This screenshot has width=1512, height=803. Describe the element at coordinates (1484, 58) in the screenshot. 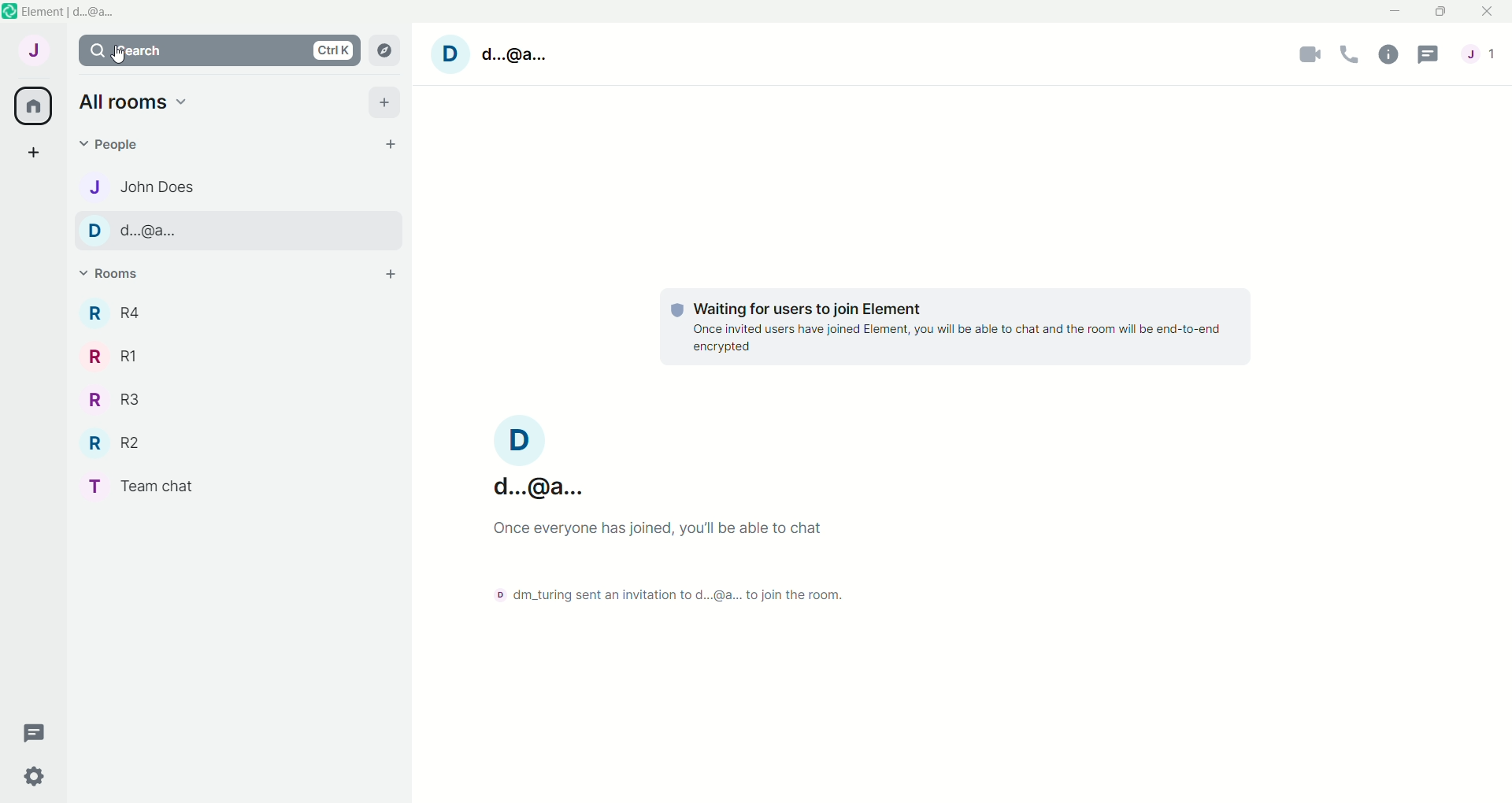

I see `people` at that location.